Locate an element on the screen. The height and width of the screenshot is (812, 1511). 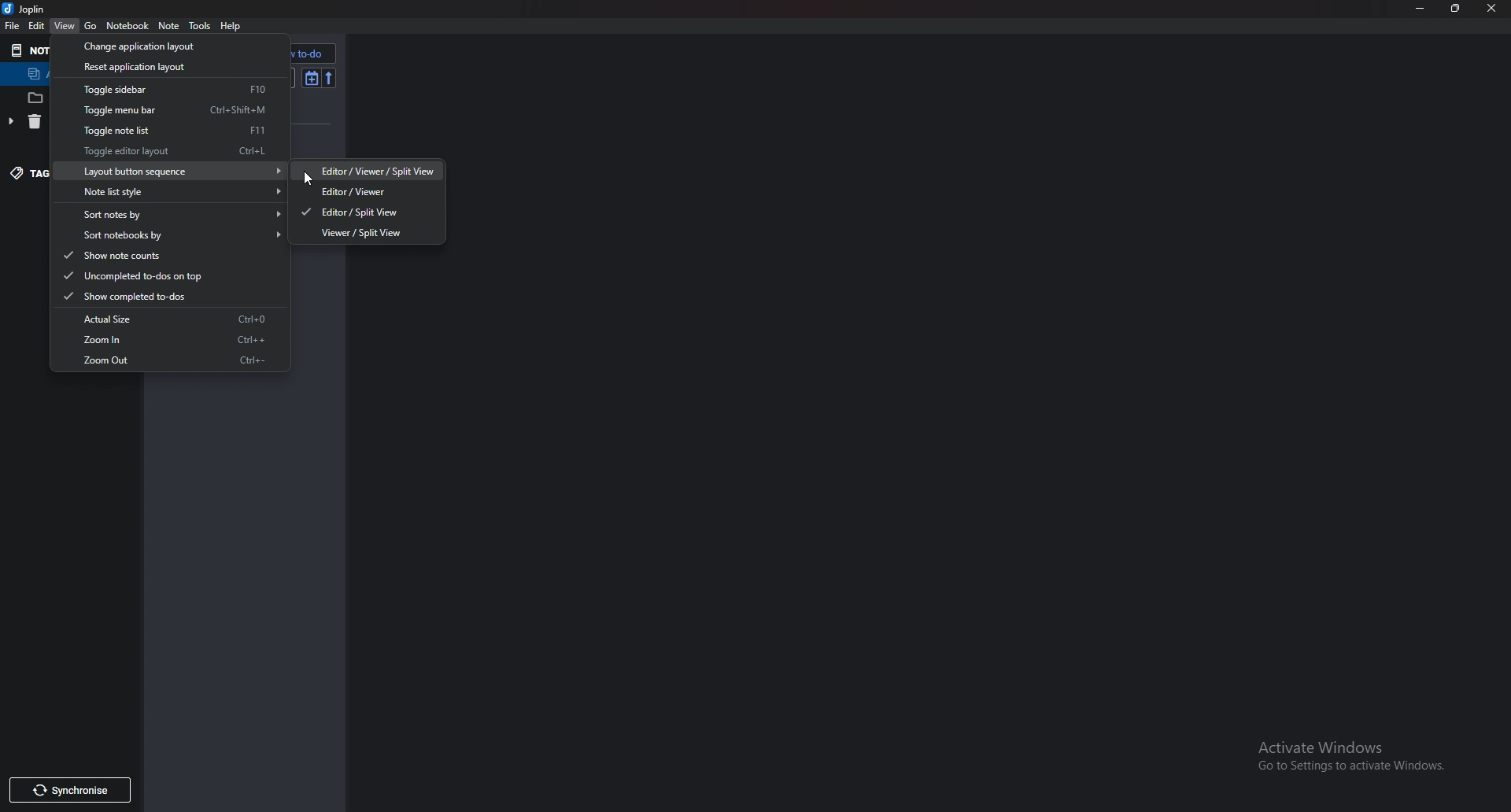
editor/ viewer/ split view is located at coordinates (371, 172).